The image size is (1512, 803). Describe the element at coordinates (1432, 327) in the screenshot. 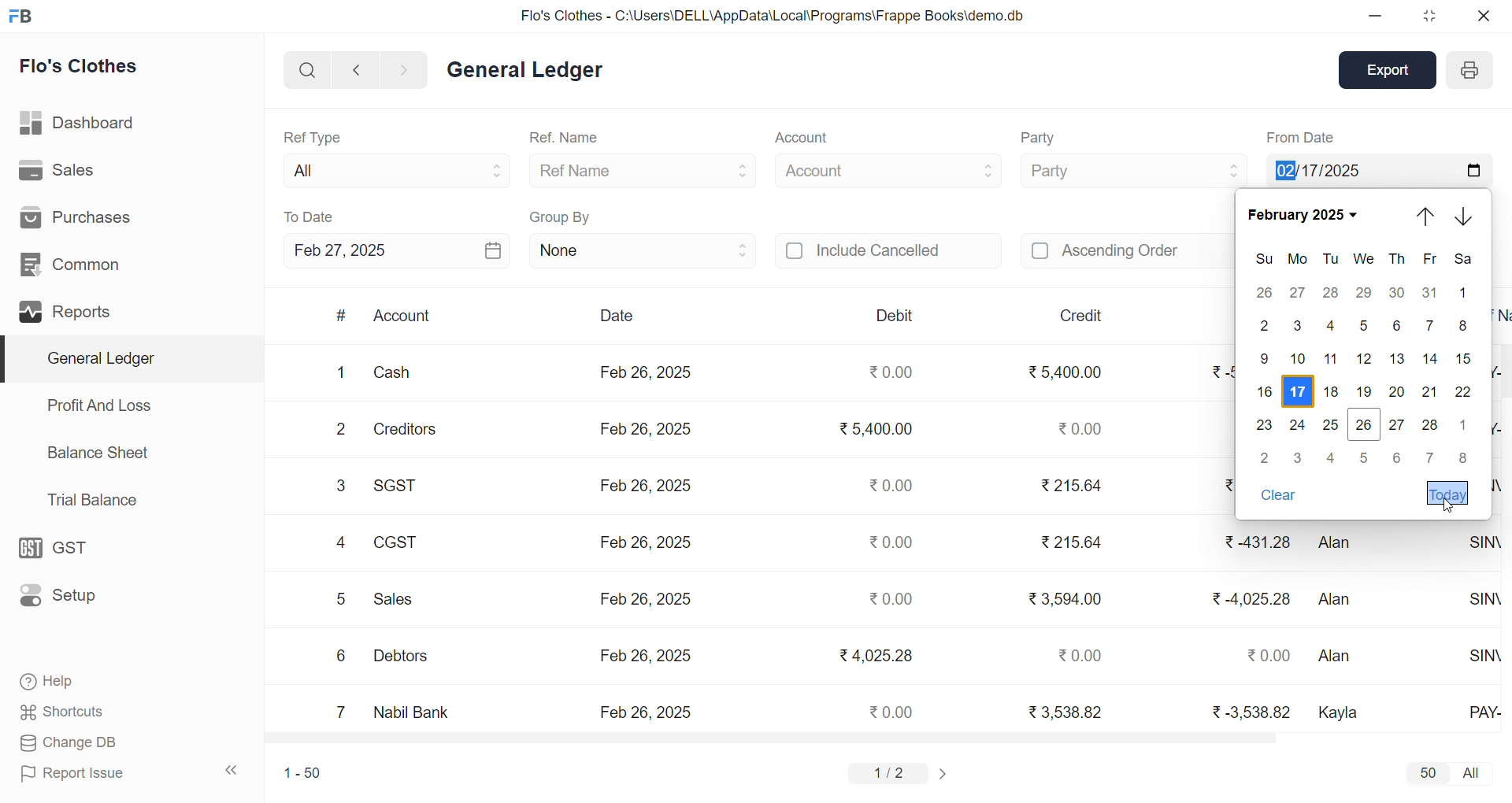

I see `7` at that location.